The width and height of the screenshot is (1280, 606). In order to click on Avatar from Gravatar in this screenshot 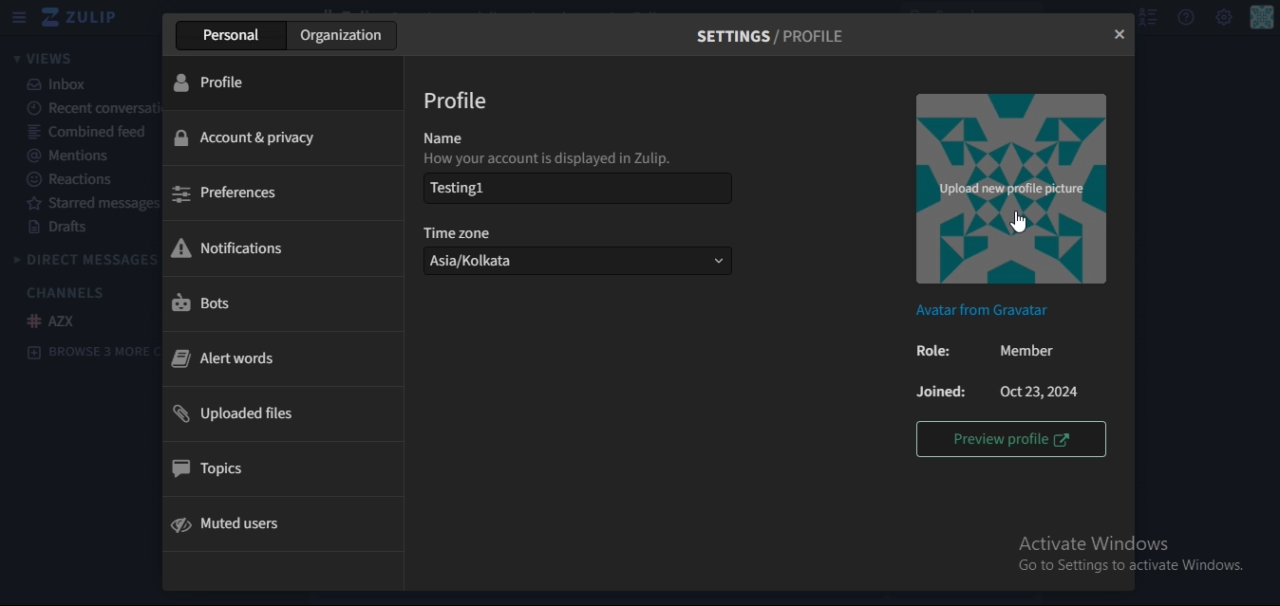, I will do `click(986, 311)`.